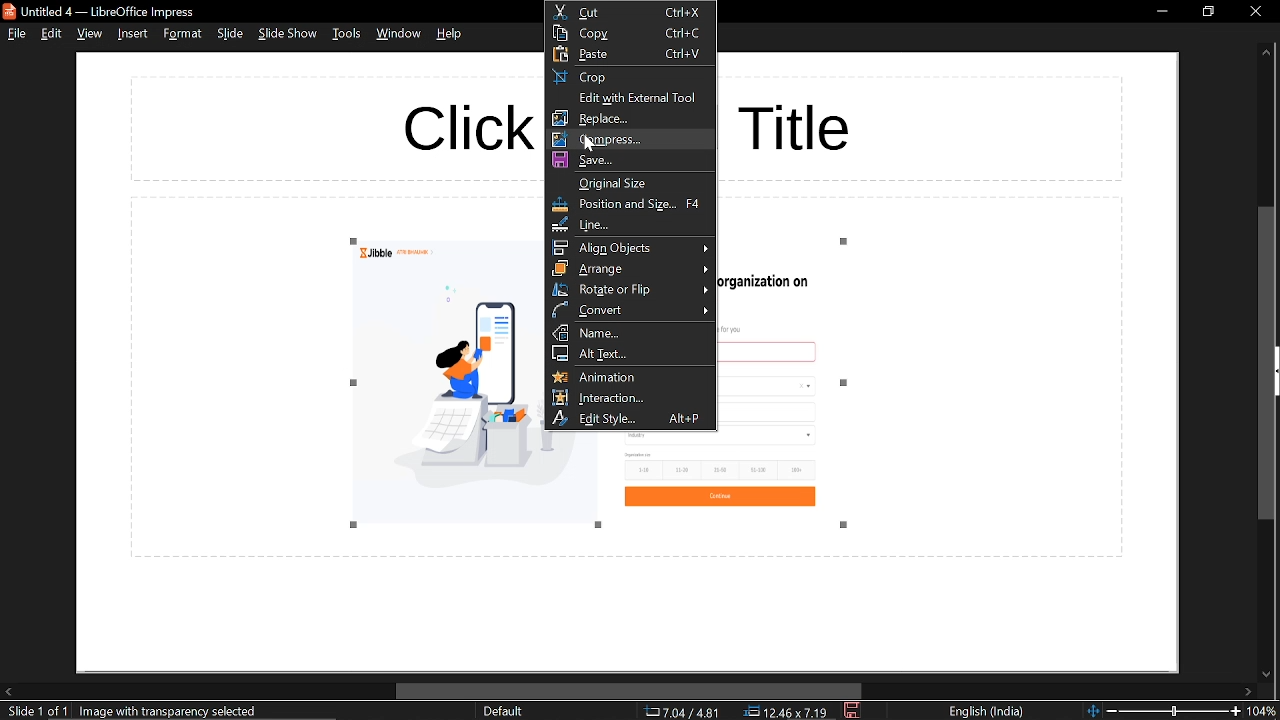 The height and width of the screenshot is (720, 1280). What do you see at coordinates (685, 31) in the screenshot?
I see `ctrl+C` at bounding box center [685, 31].